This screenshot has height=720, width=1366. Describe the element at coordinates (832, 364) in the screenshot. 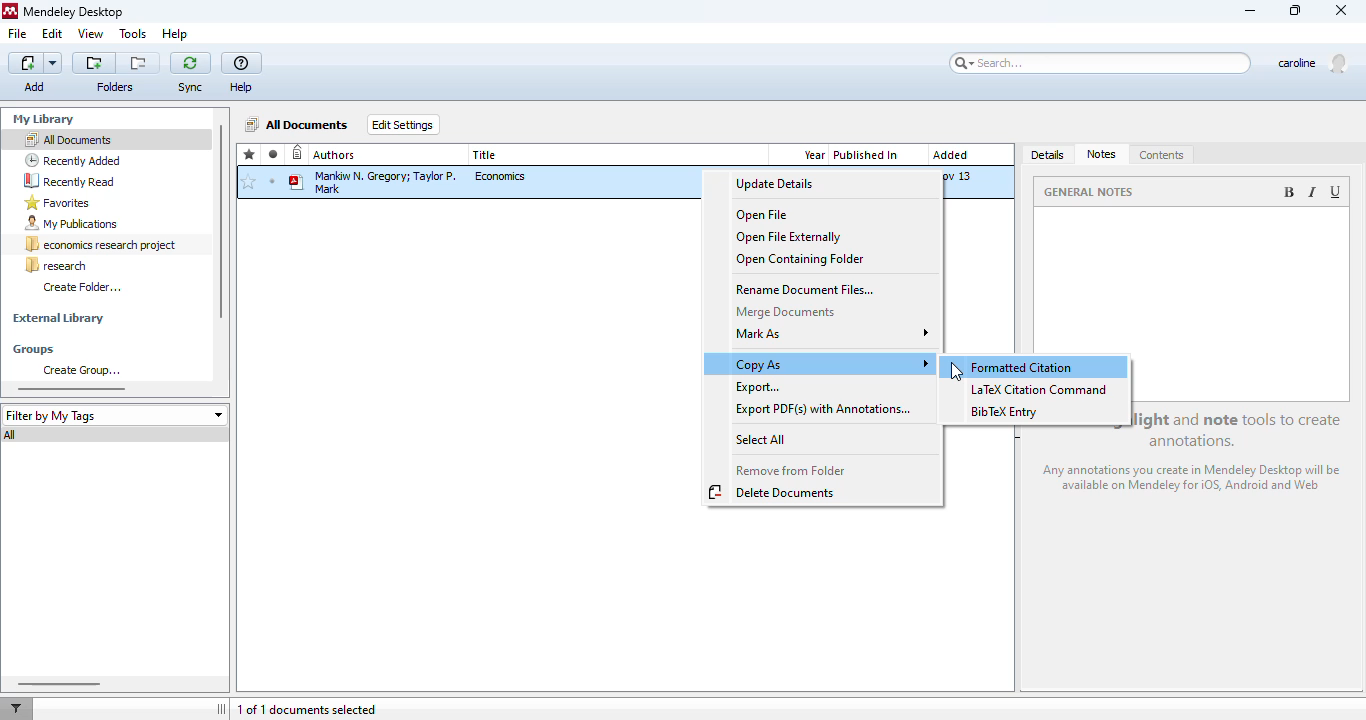

I see `copy as` at that location.